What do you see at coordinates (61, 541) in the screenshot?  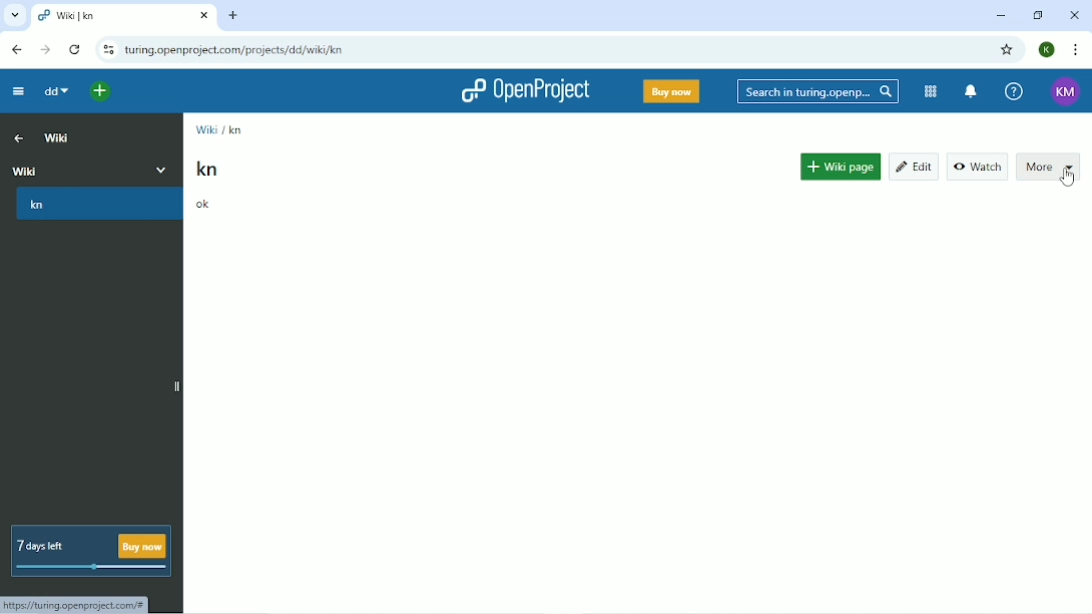 I see `7 days left` at bounding box center [61, 541].